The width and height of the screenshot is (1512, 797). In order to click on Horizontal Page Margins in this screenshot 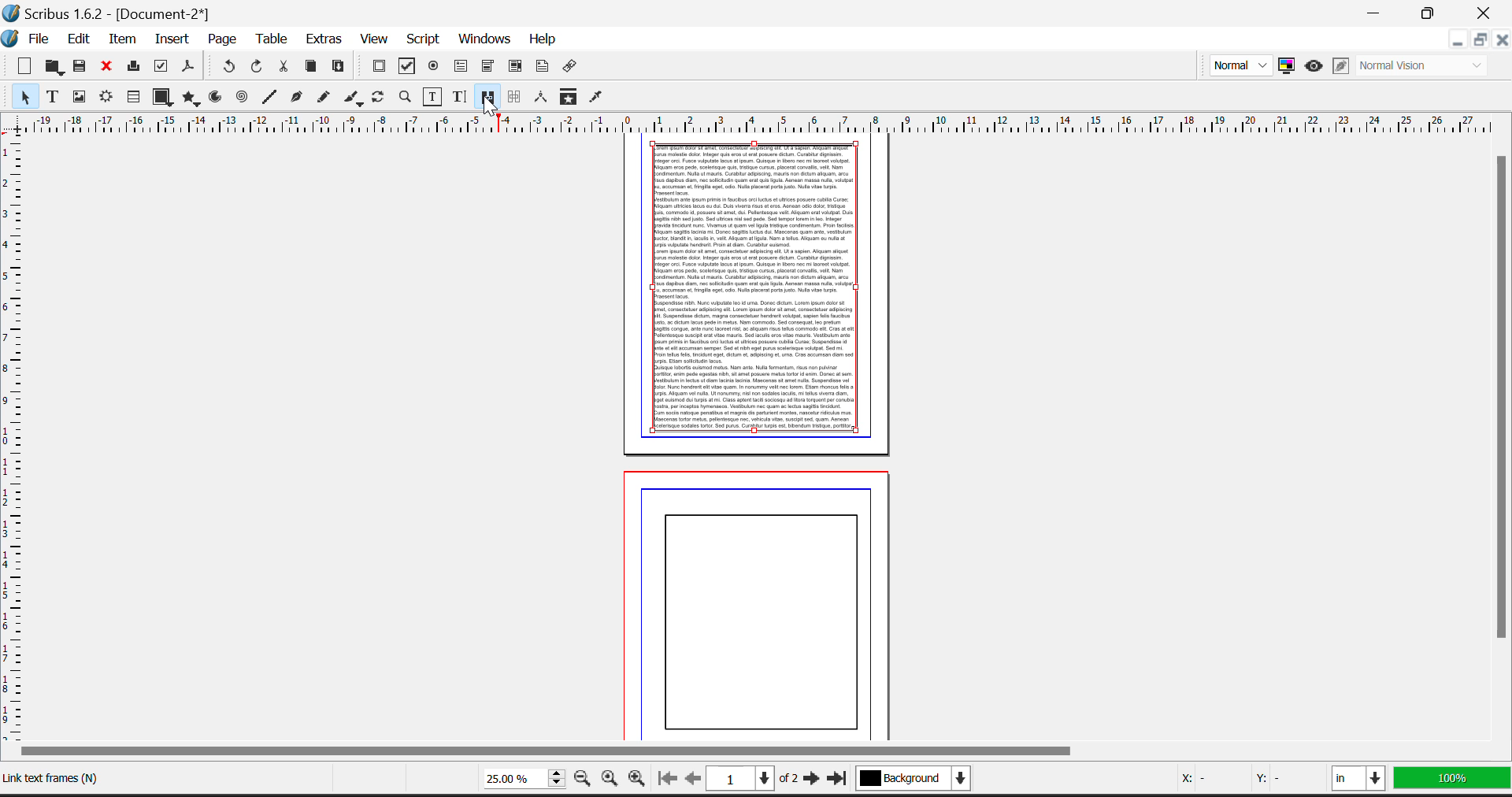, I will do `click(14, 436)`.